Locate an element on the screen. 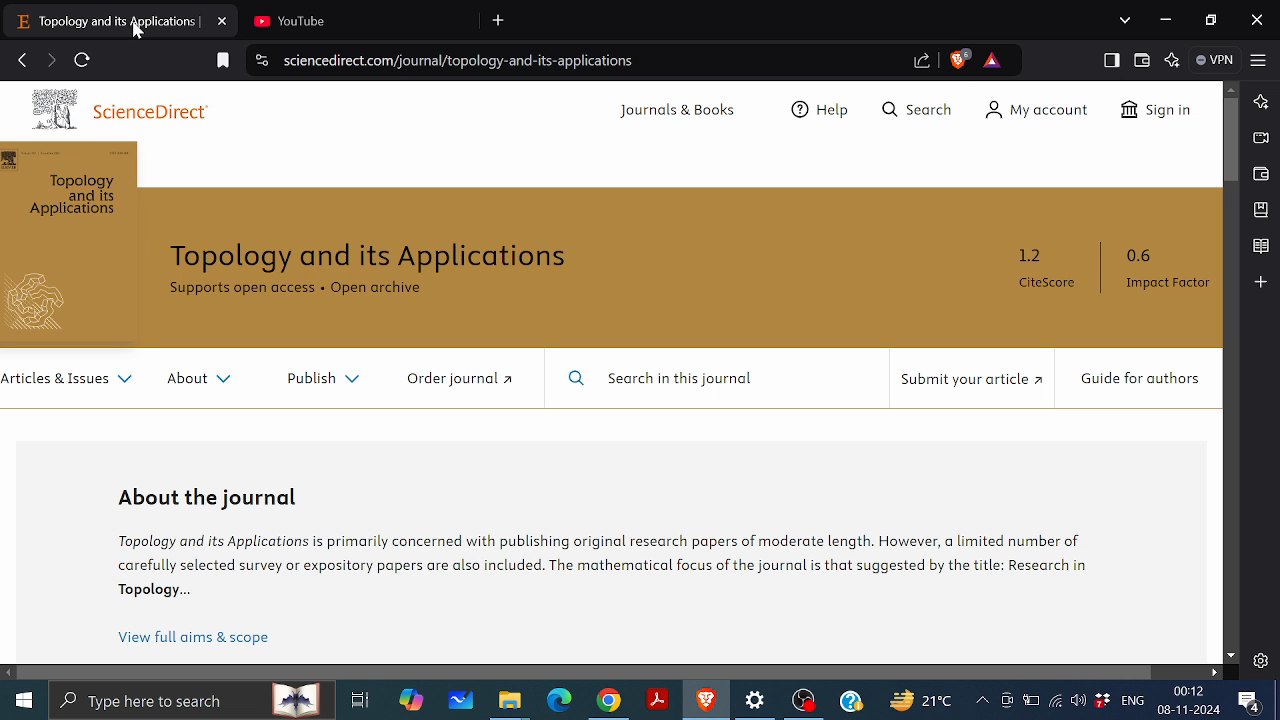 The height and width of the screenshot is (720, 1280). Add bookmark is located at coordinates (224, 61).